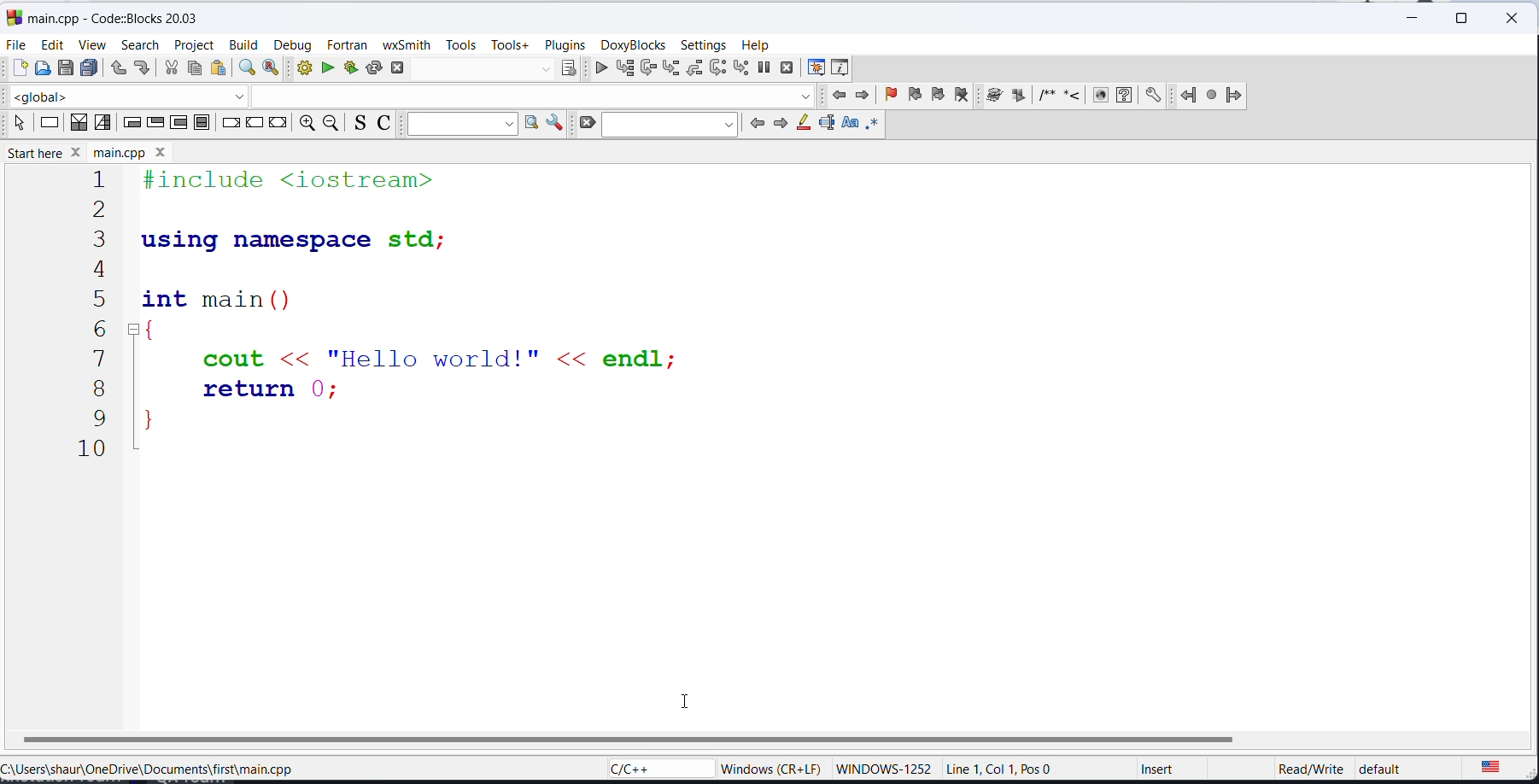  Describe the element at coordinates (230, 125) in the screenshot. I see `break instruction` at that location.